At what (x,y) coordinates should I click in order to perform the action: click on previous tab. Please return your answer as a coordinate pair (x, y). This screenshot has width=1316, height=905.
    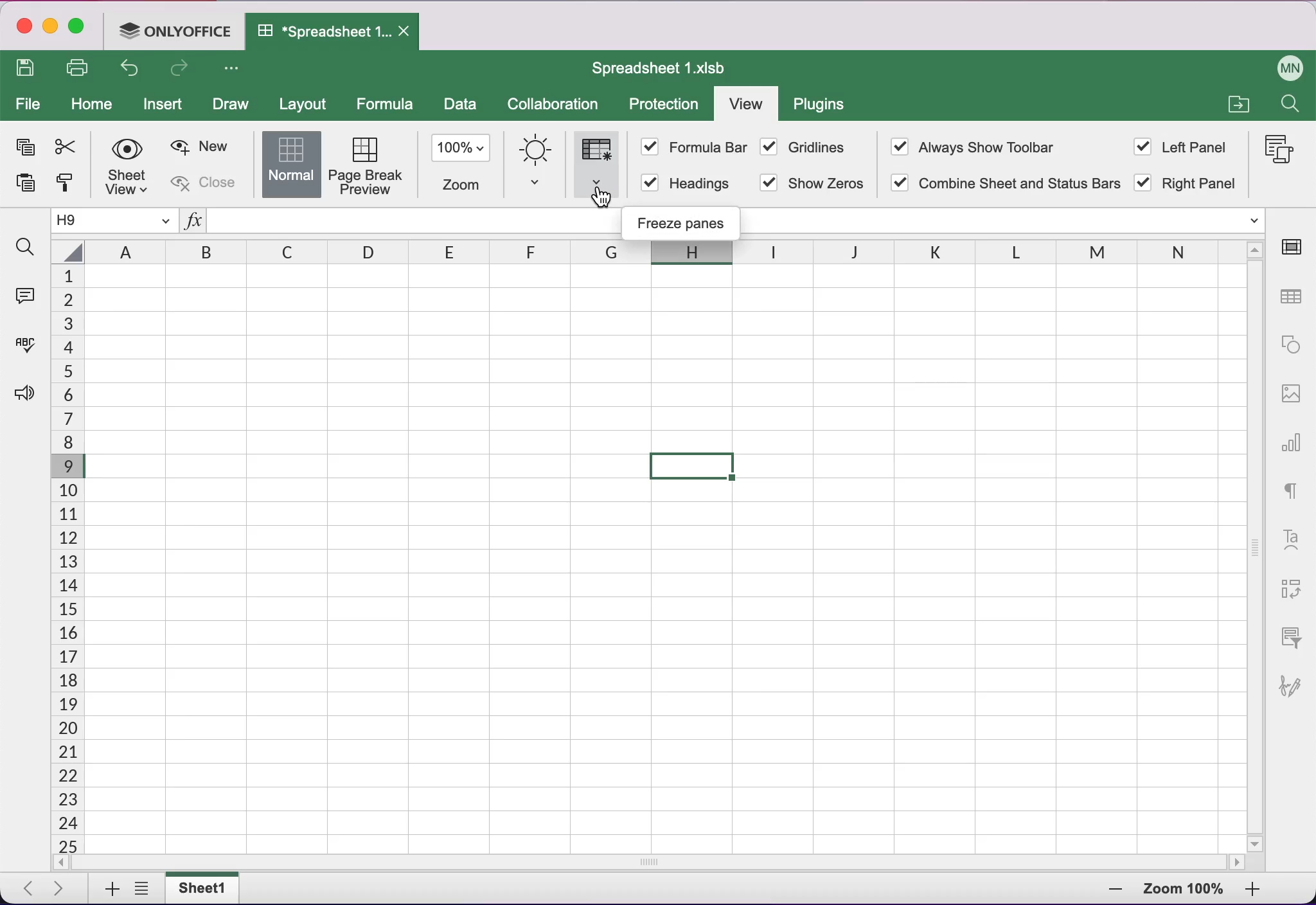
    Looking at the image, I should click on (26, 889).